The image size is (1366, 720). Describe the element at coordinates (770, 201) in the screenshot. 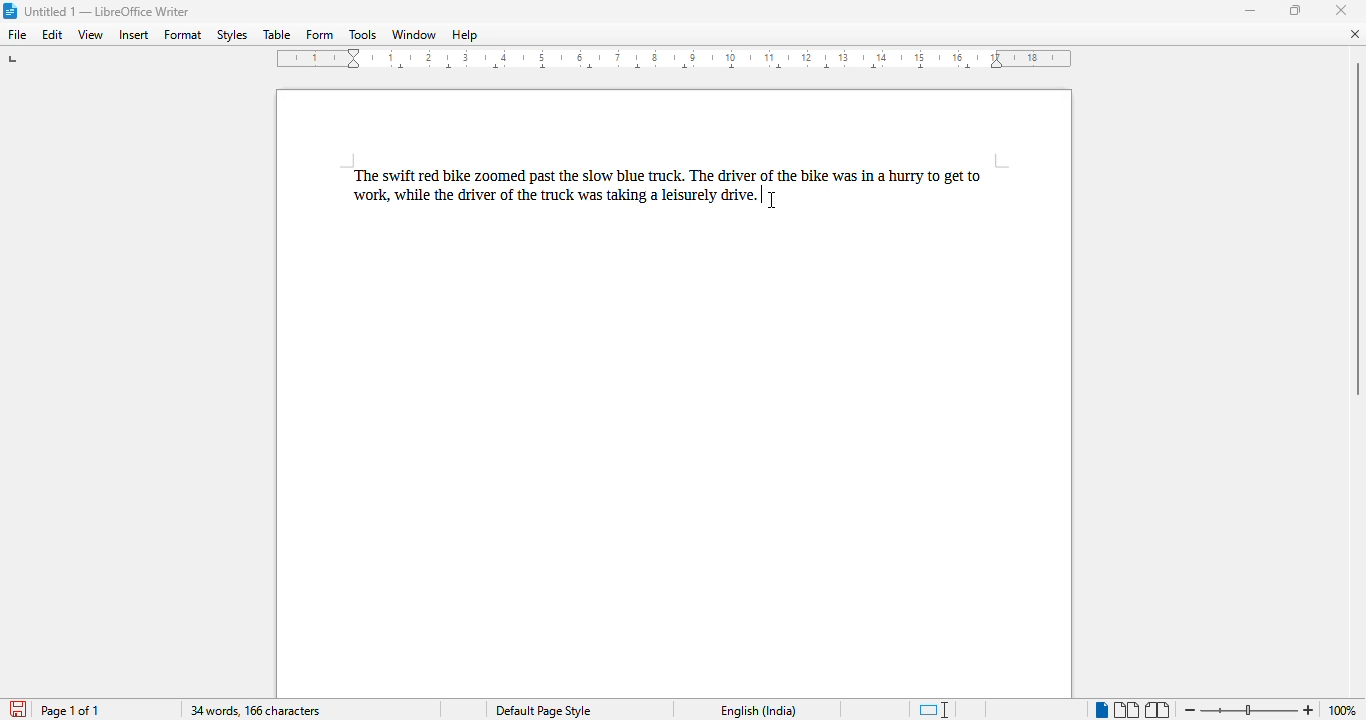

I see `cursor` at that location.